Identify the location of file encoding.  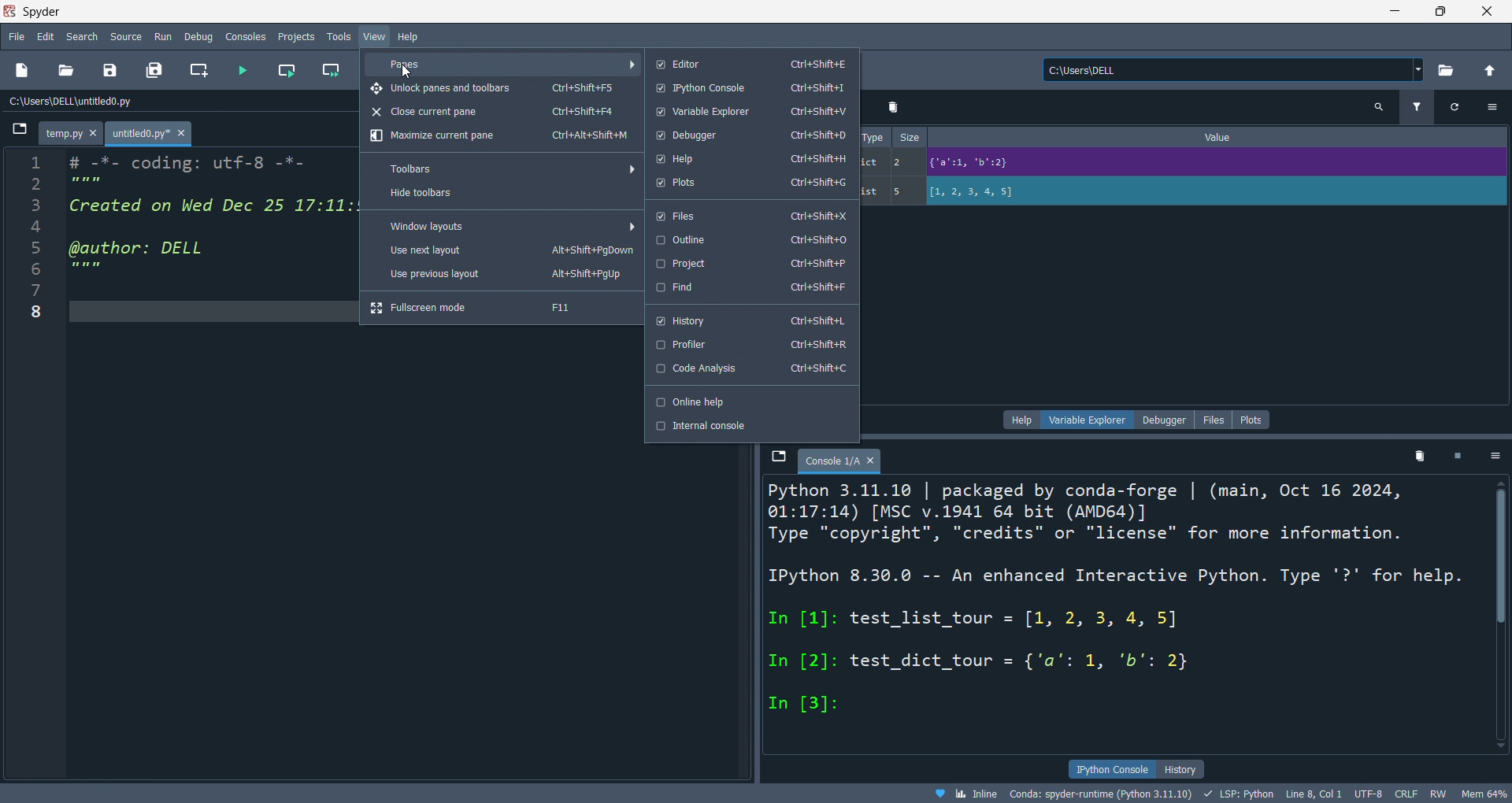
(1367, 794).